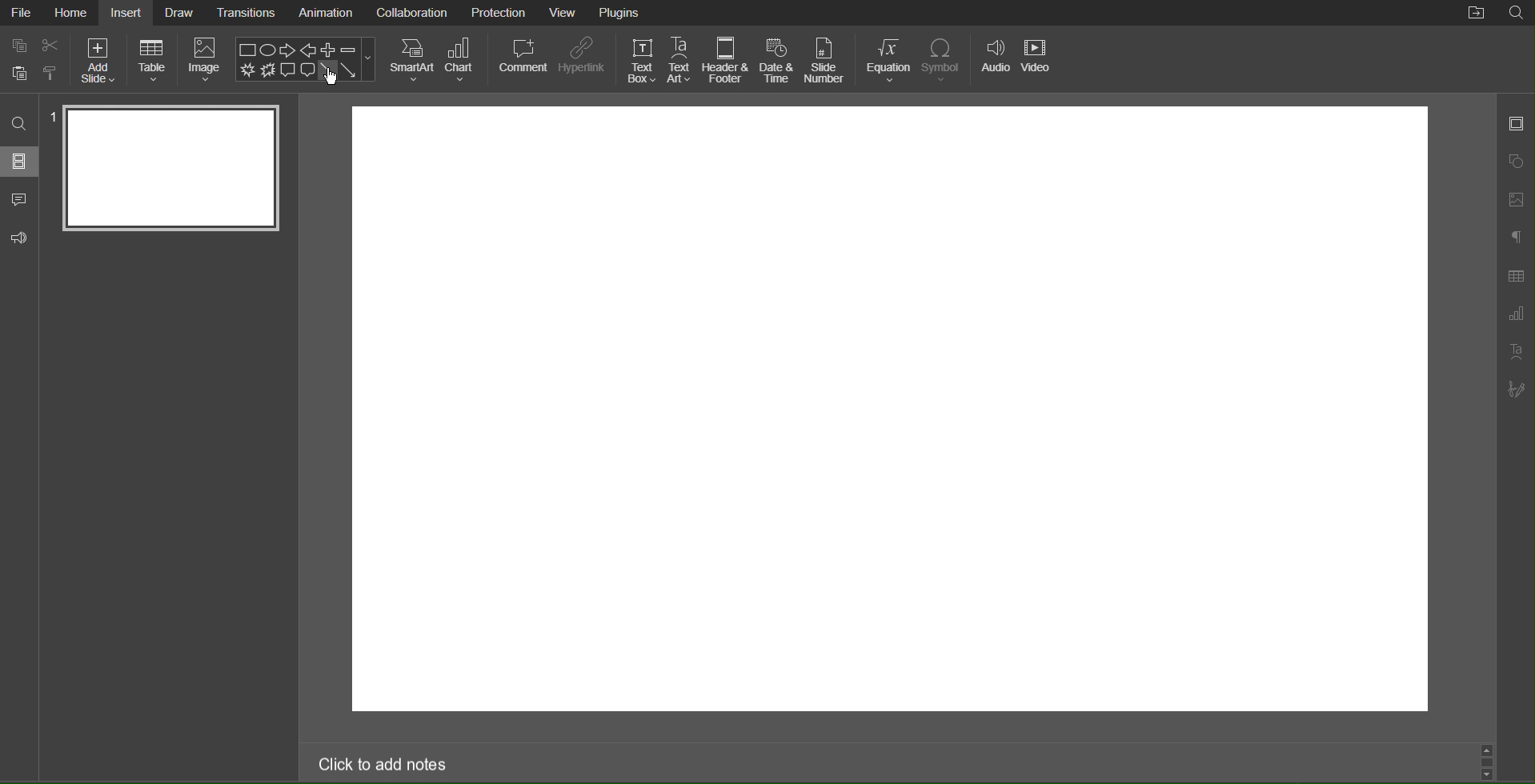 The width and height of the screenshot is (1535, 784). I want to click on Comment, so click(20, 201).